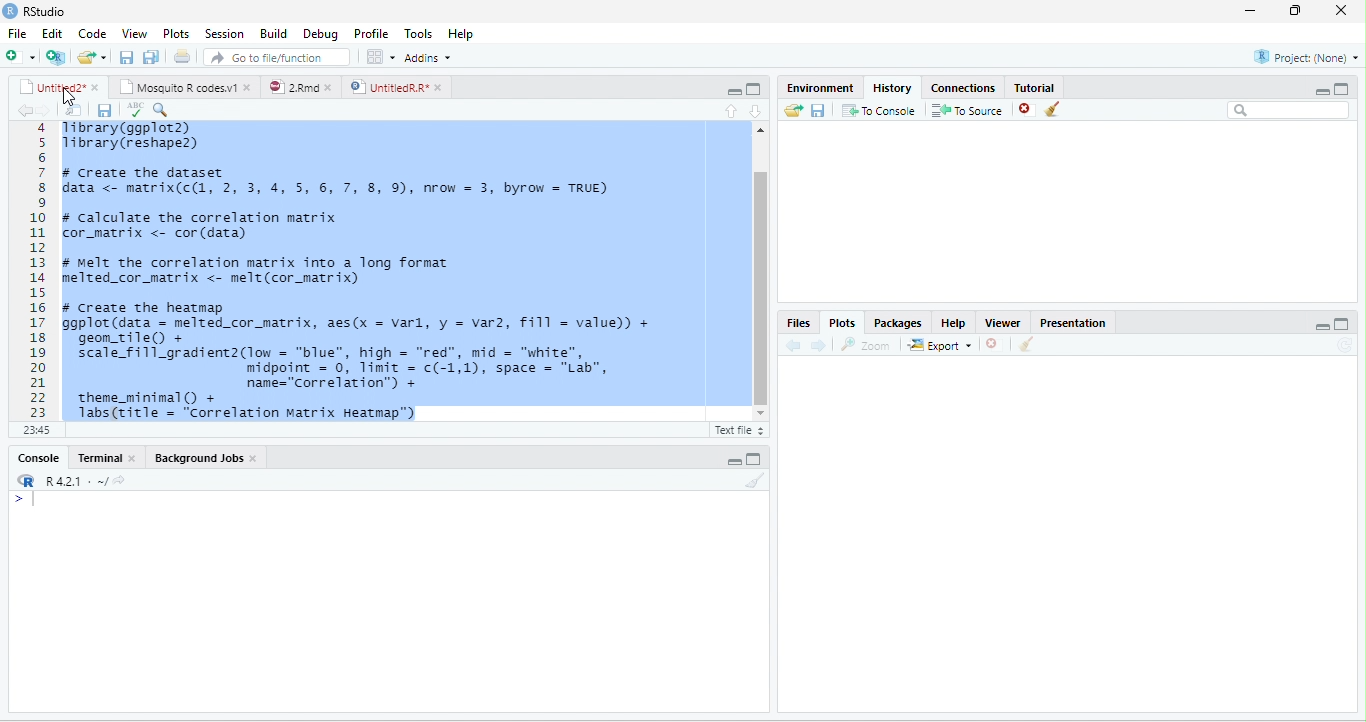  I want to click on session, so click(224, 33).